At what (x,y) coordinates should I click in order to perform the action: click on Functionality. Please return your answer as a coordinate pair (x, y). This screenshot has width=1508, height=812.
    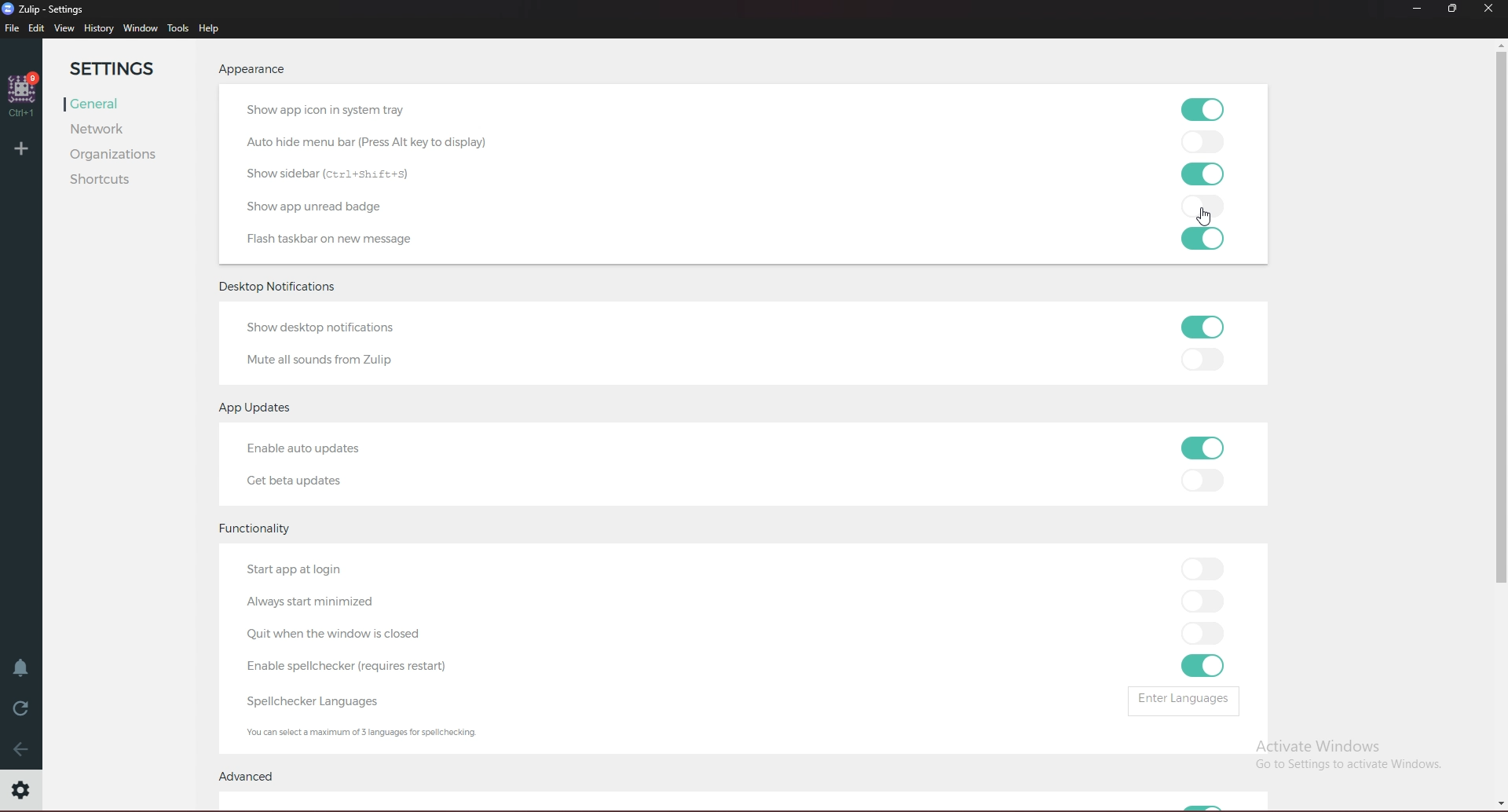
    Looking at the image, I should click on (258, 531).